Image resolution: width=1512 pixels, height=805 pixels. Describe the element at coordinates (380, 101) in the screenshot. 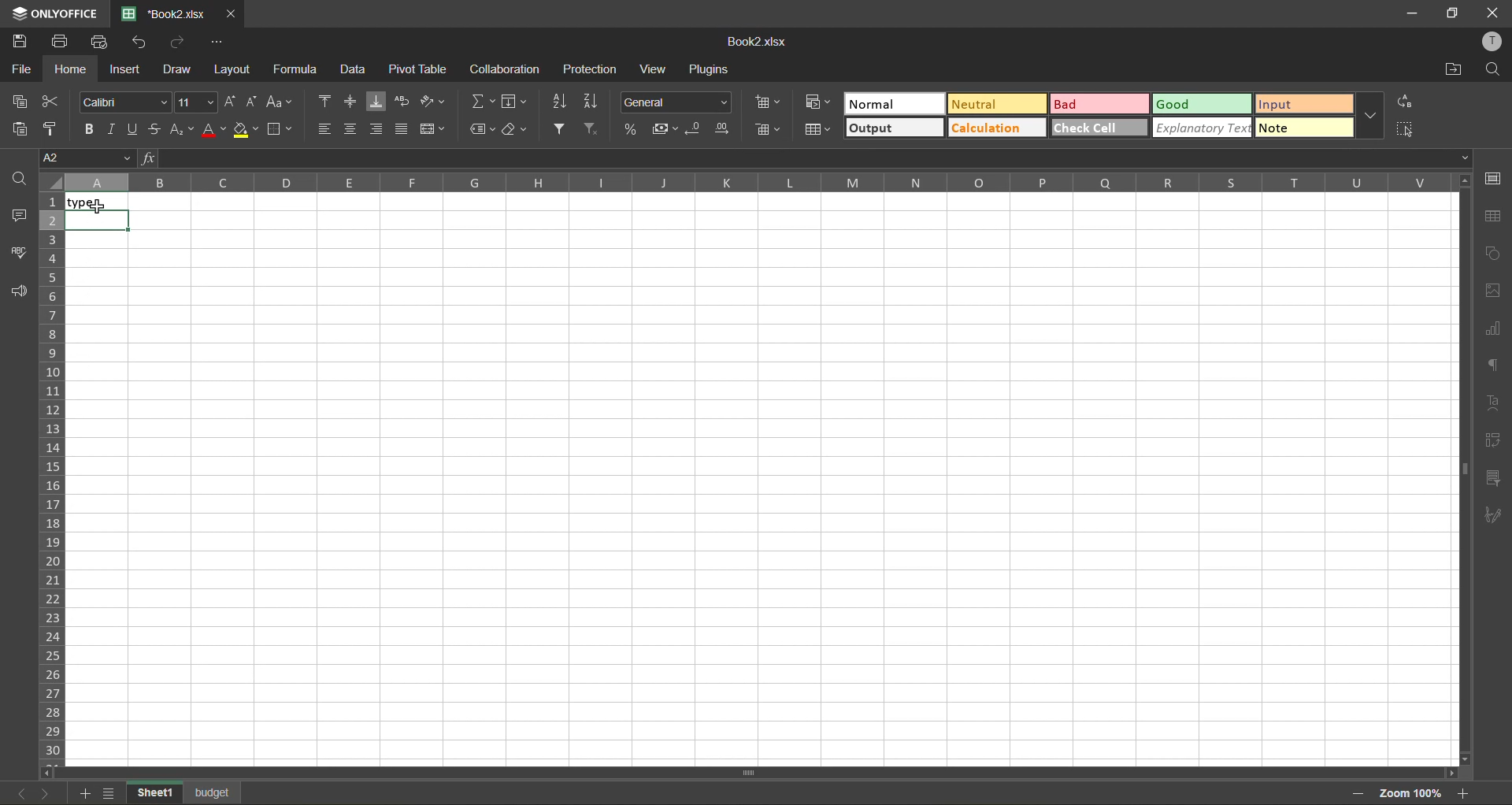

I see `align bottom` at that location.